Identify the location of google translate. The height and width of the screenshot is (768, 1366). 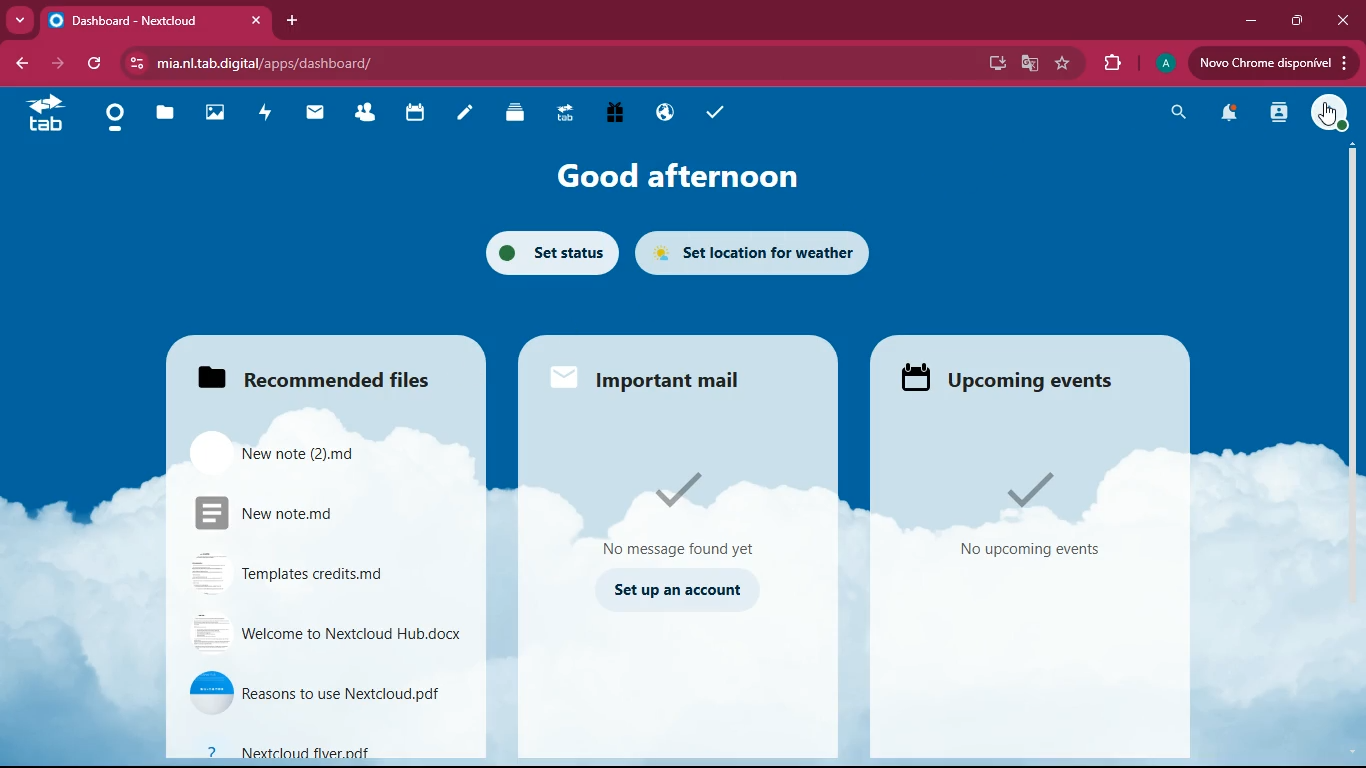
(1032, 63).